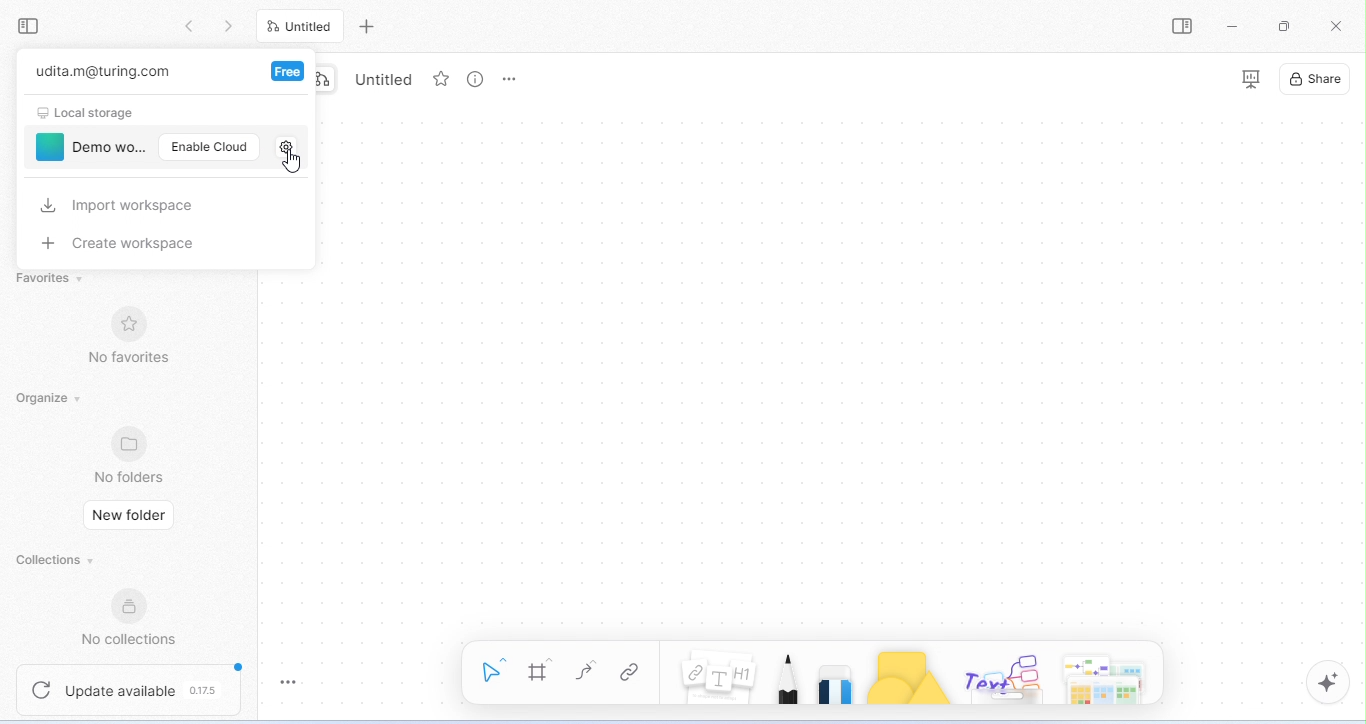  Describe the element at coordinates (293, 161) in the screenshot. I see `cursor` at that location.